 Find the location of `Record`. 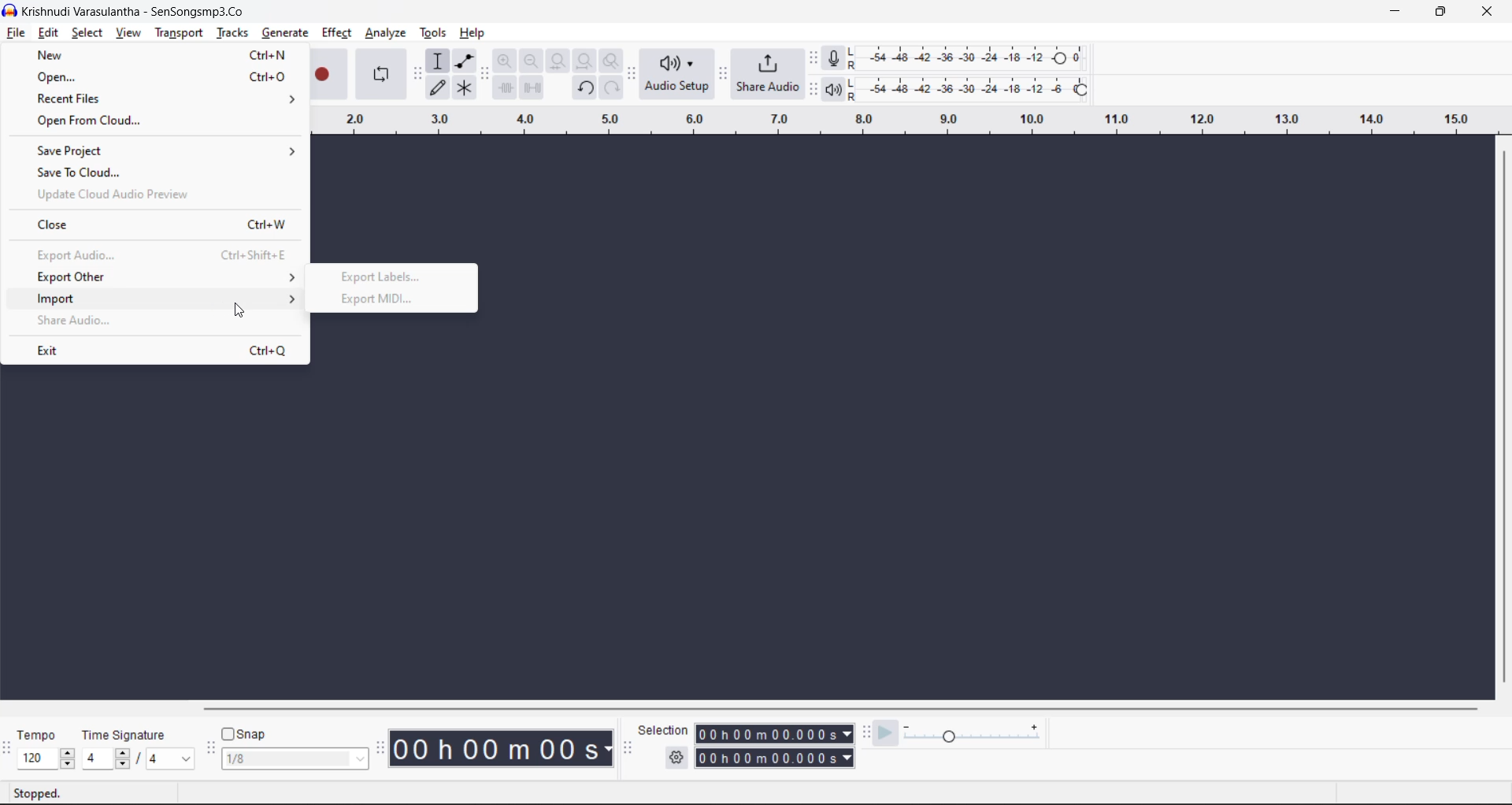

Record is located at coordinates (328, 71).